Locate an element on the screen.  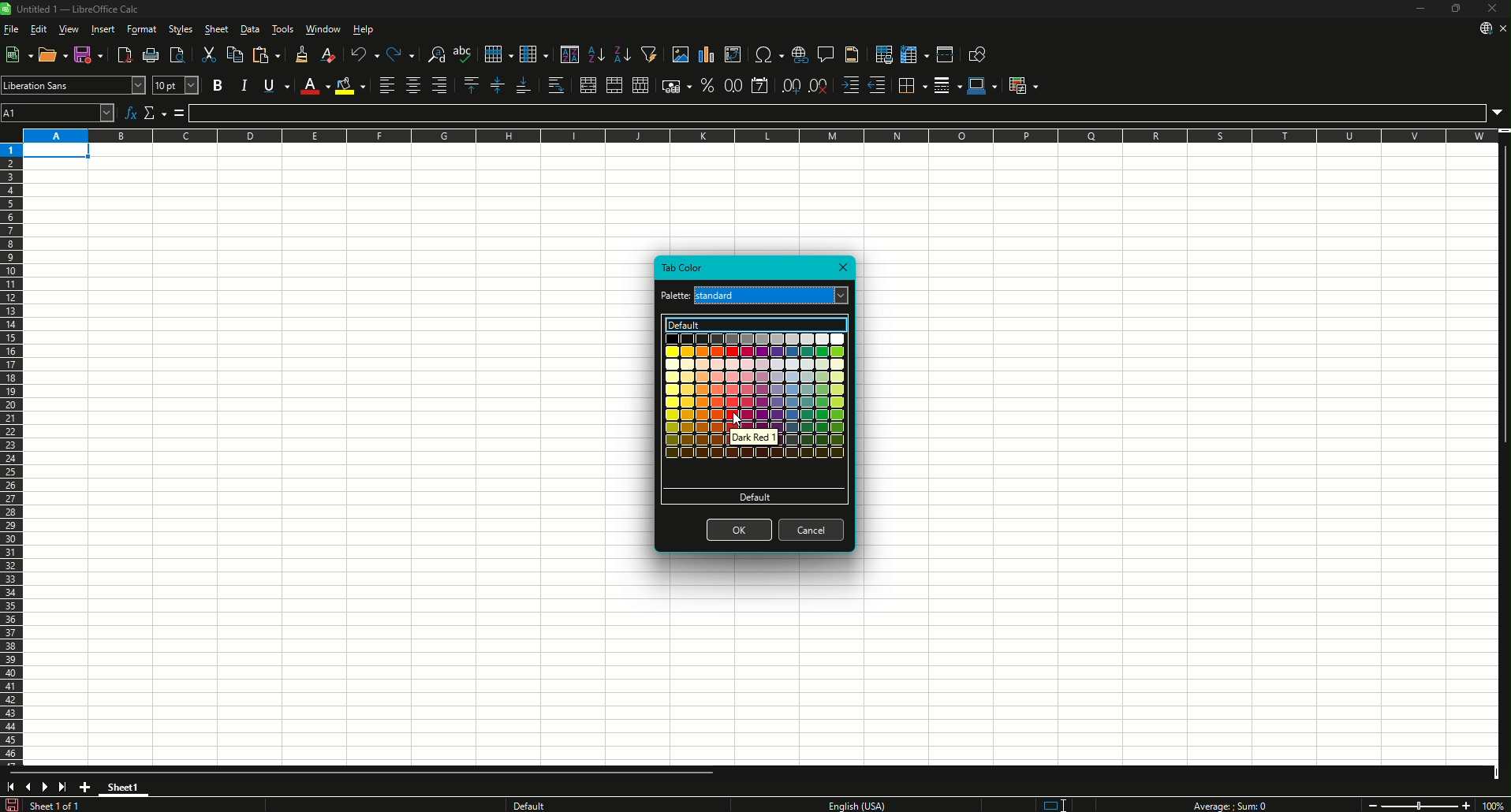
Align Bottom is located at coordinates (524, 85).